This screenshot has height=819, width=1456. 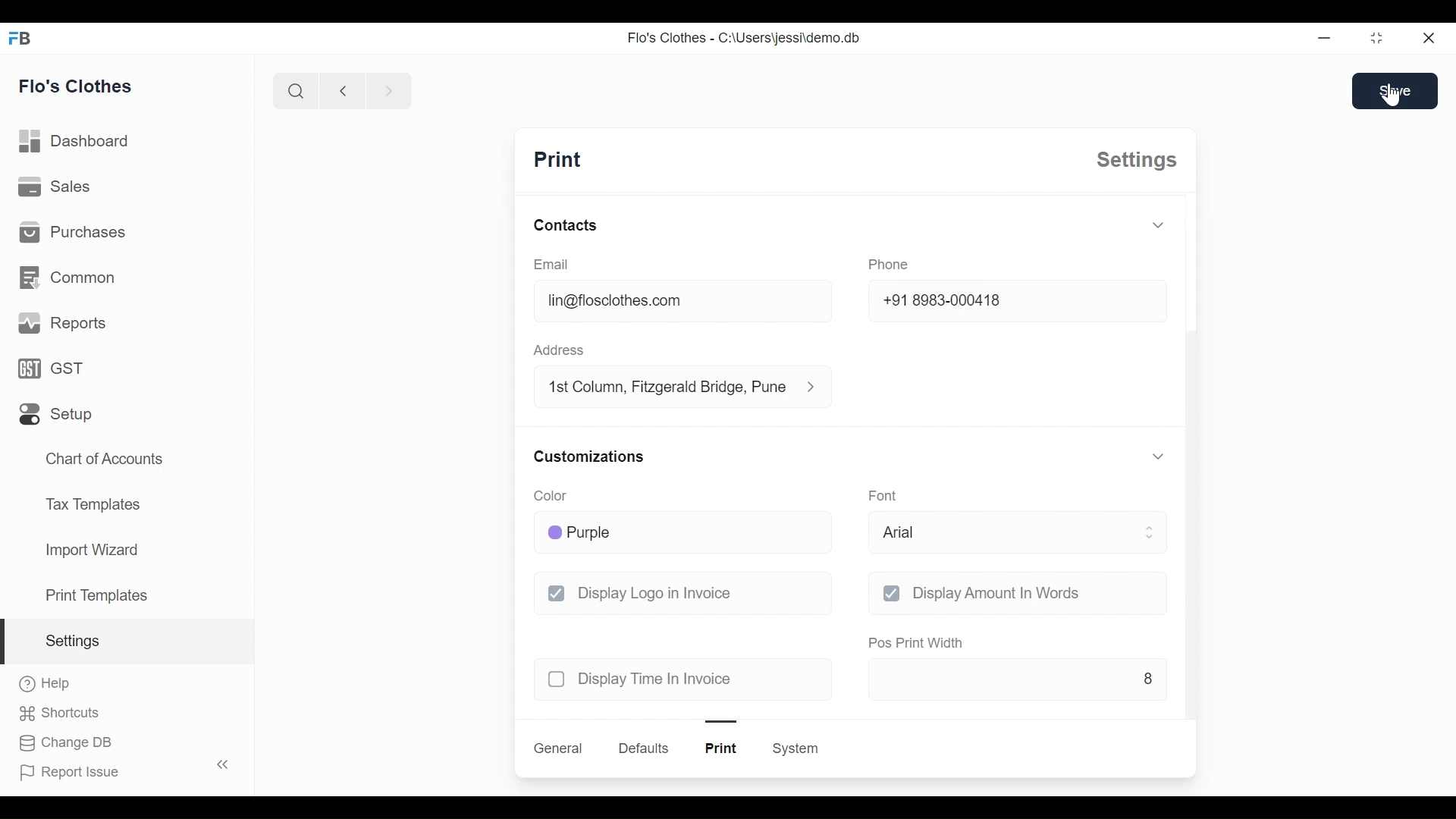 What do you see at coordinates (657, 592) in the screenshot?
I see `display logo in invoice` at bounding box center [657, 592].